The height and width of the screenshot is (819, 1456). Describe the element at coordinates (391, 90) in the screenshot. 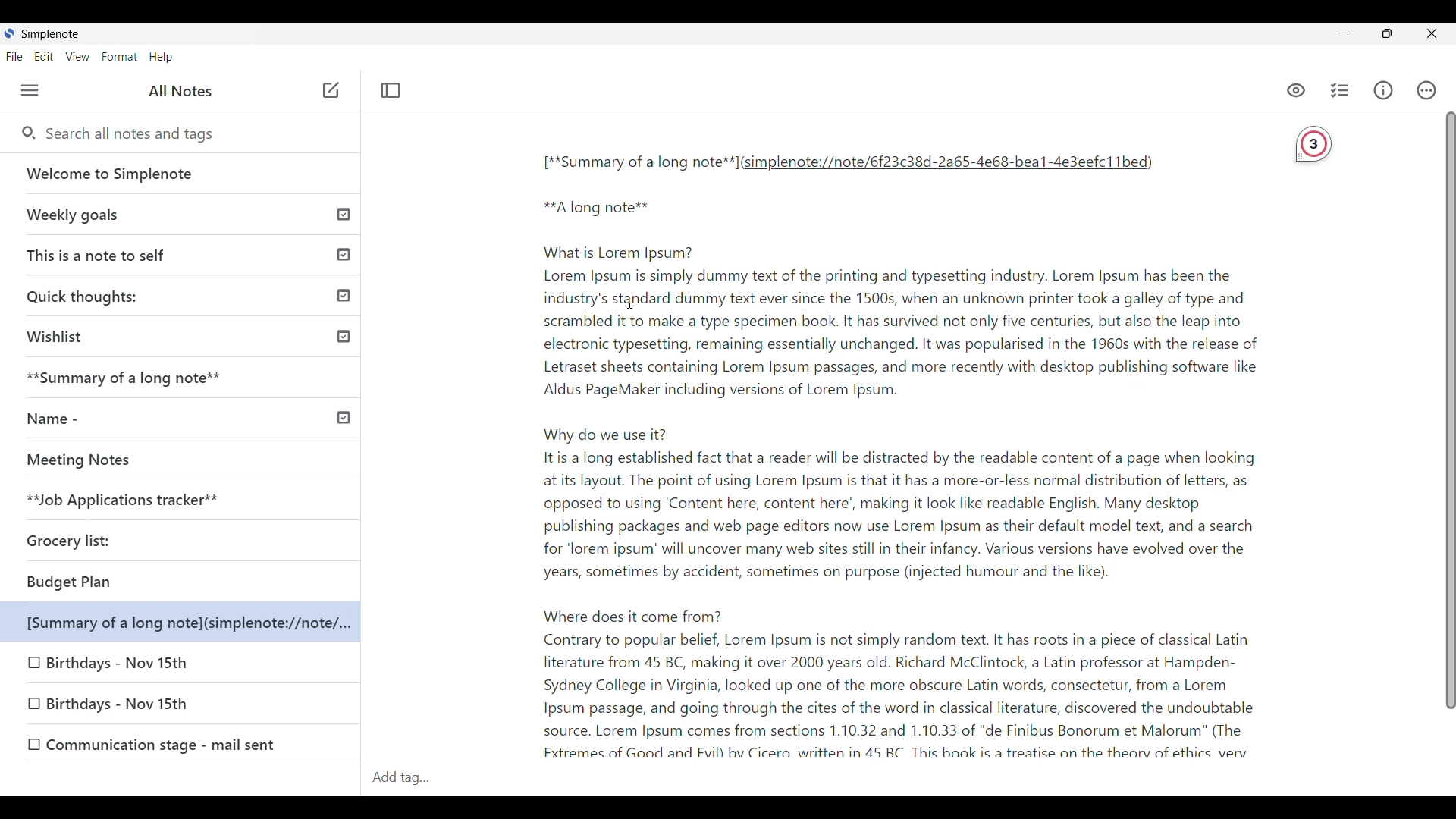

I see `Toggle focus mode` at that location.